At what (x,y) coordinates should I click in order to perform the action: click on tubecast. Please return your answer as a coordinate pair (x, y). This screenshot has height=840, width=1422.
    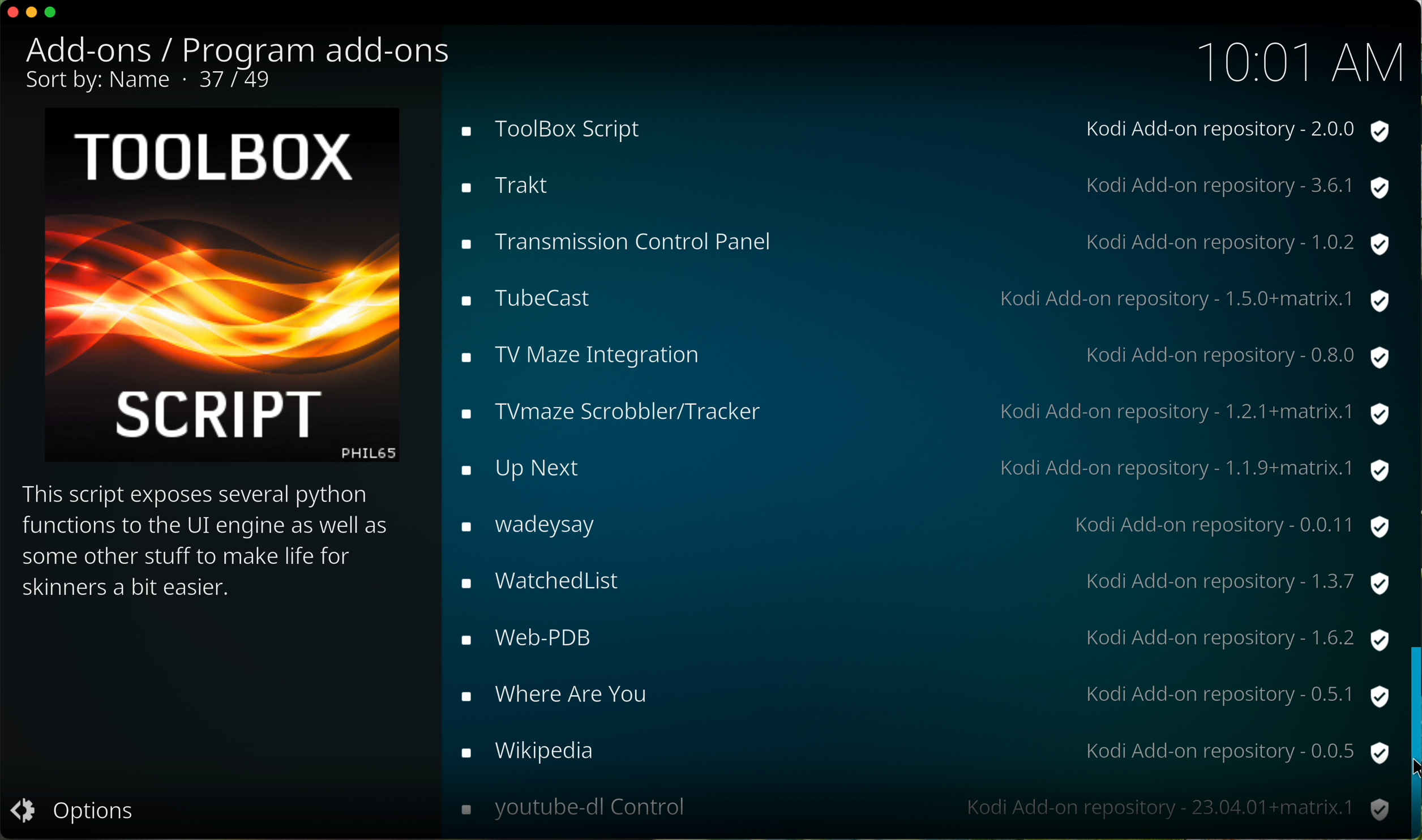
    Looking at the image, I should click on (922, 302).